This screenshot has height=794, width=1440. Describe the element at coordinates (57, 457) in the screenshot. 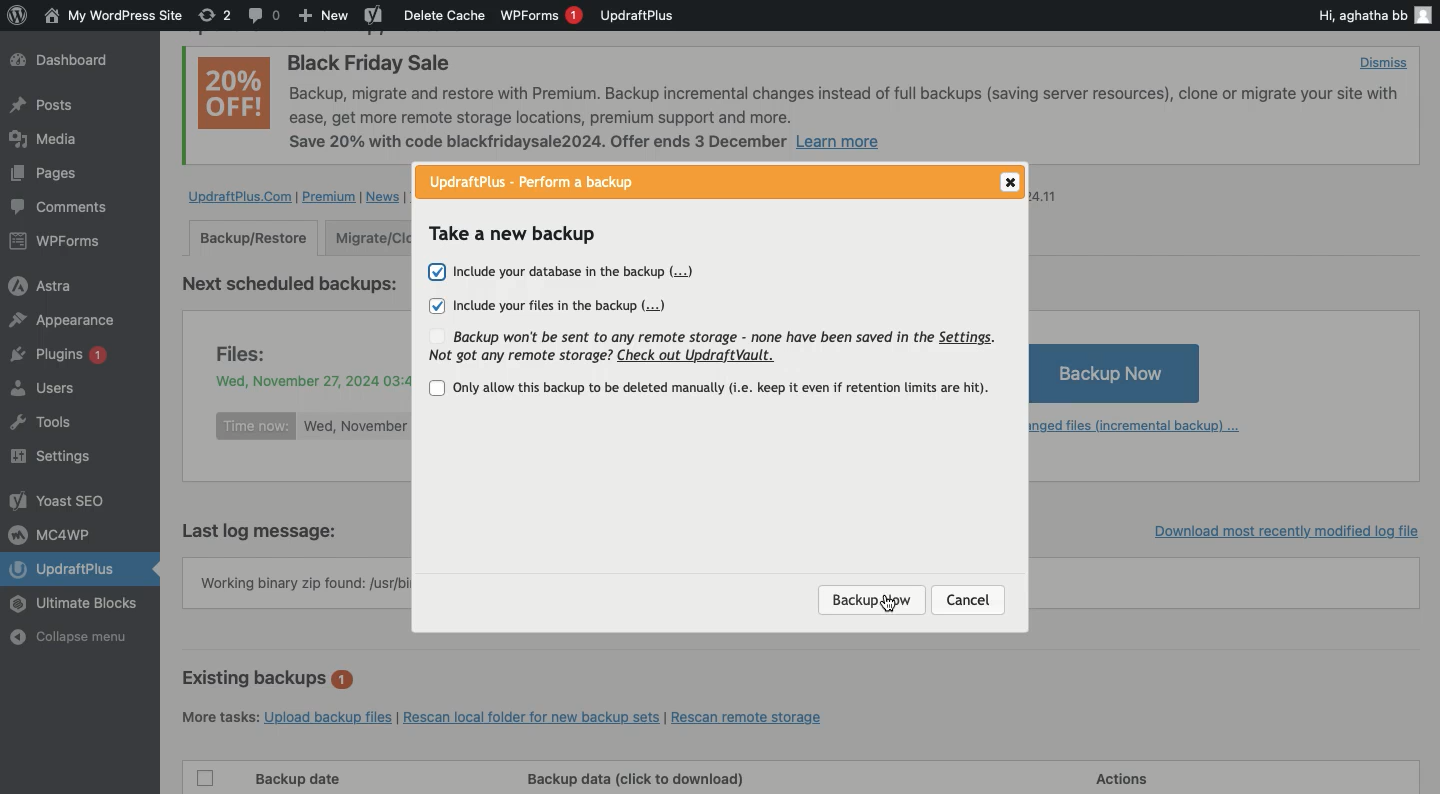

I see `Settings` at that location.